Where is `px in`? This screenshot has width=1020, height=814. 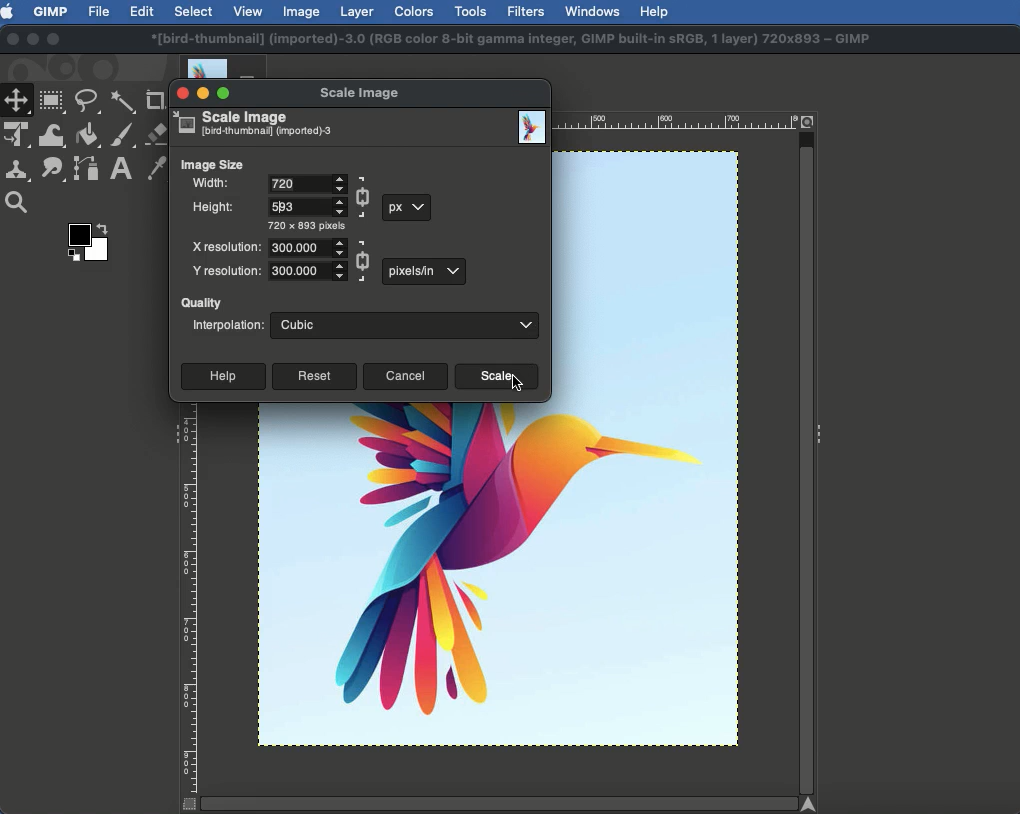 px in is located at coordinates (422, 272).